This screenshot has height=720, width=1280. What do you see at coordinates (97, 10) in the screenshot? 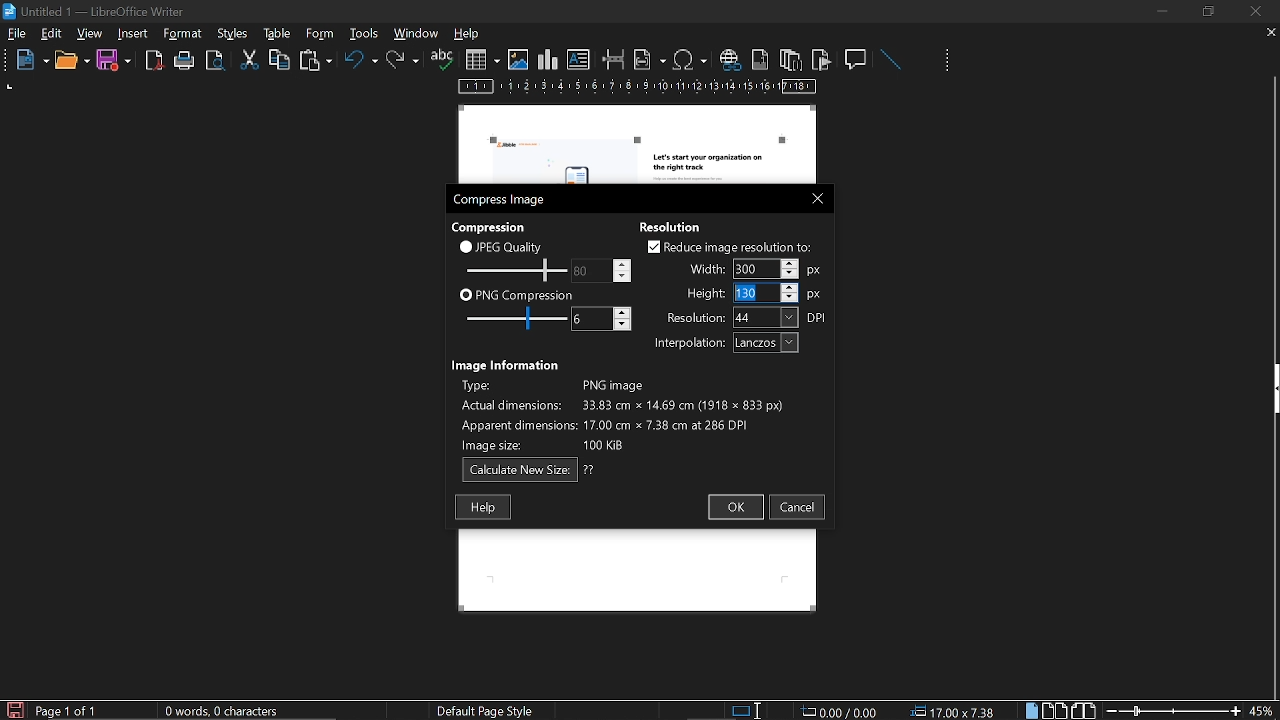
I see `current window` at bounding box center [97, 10].